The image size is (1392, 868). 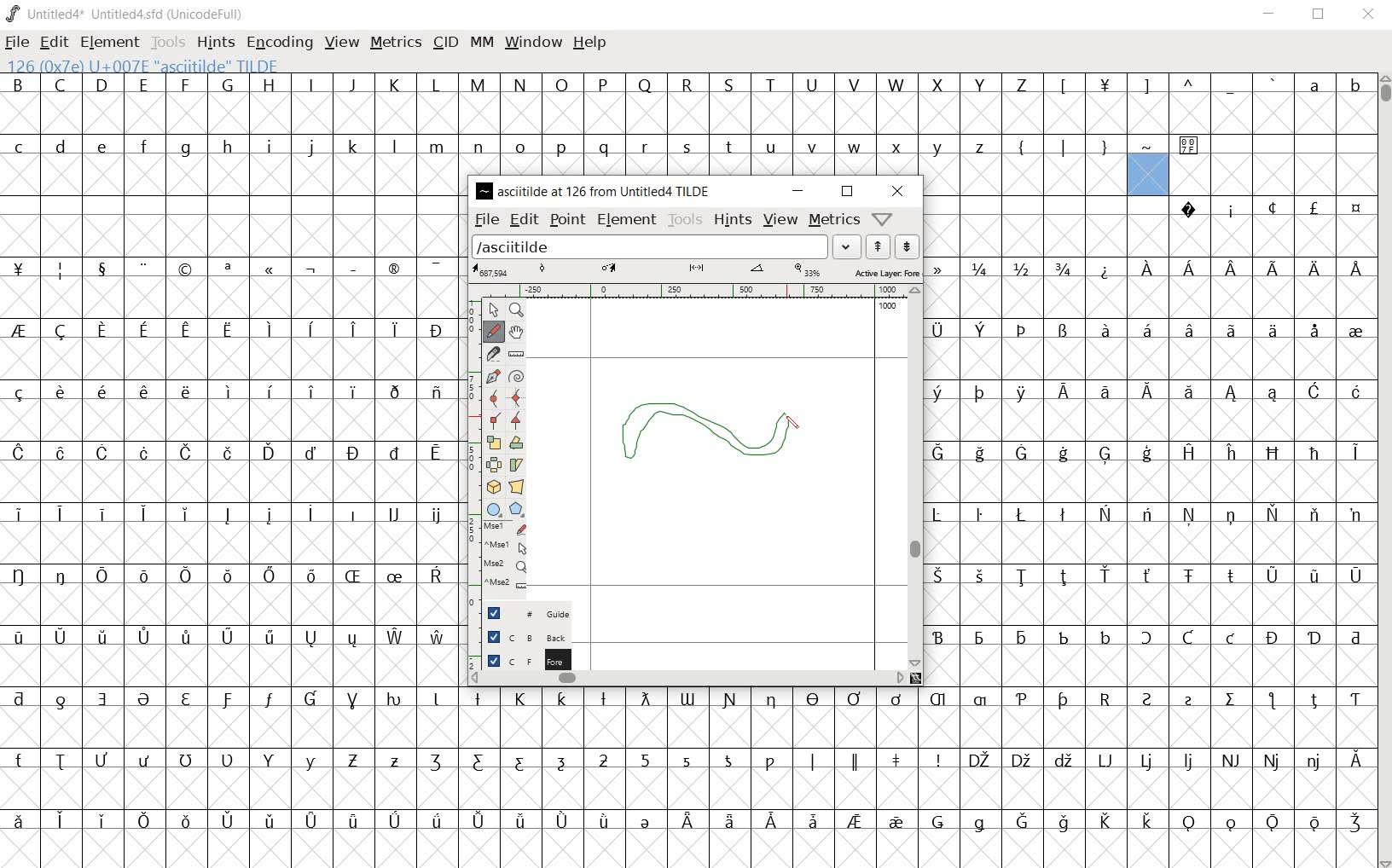 What do you see at coordinates (1148, 174) in the screenshot?
I see `126 (0X7e) U+007E "asciitilde" TILDE` at bounding box center [1148, 174].